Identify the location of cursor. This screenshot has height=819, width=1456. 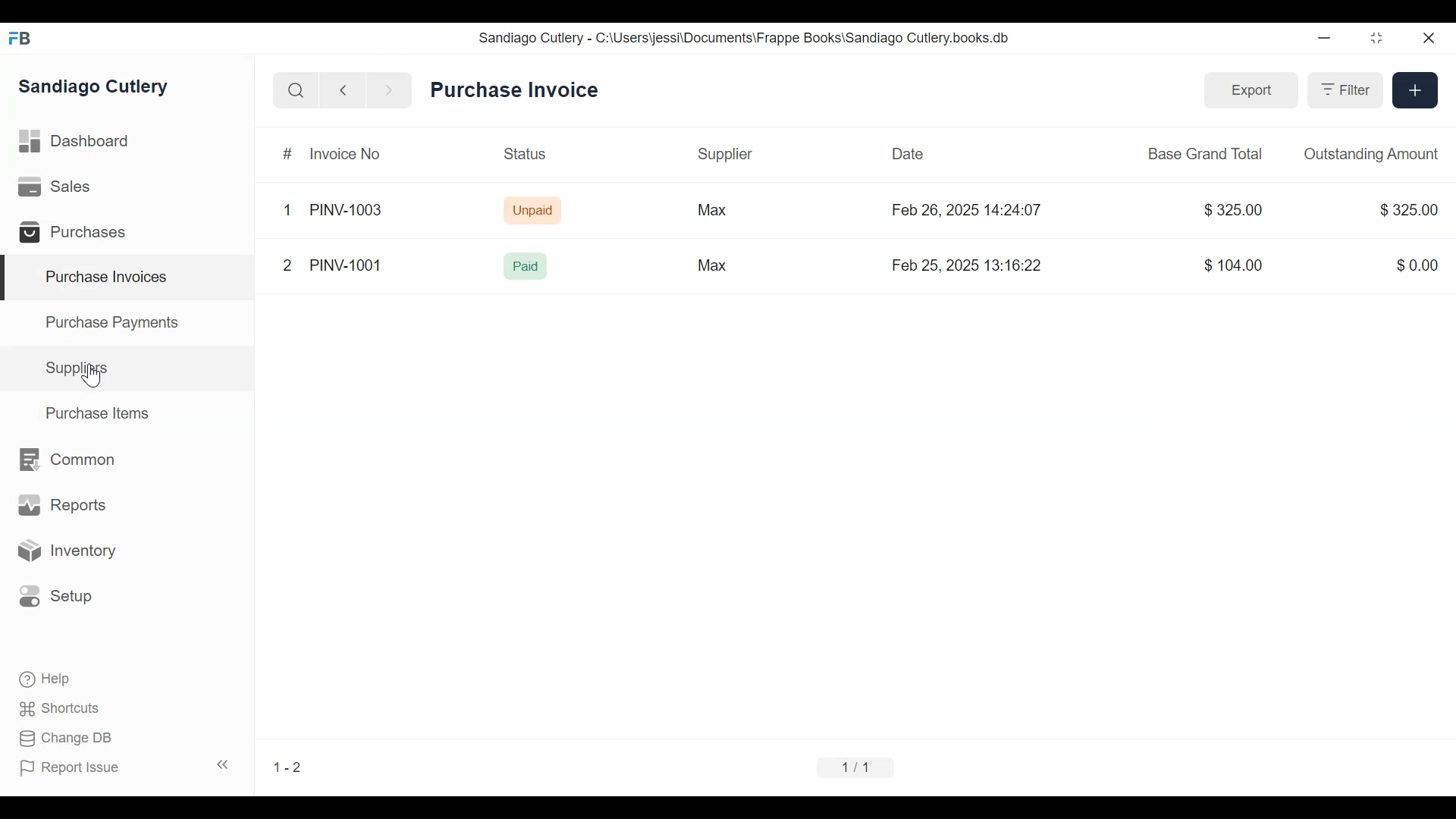
(94, 377).